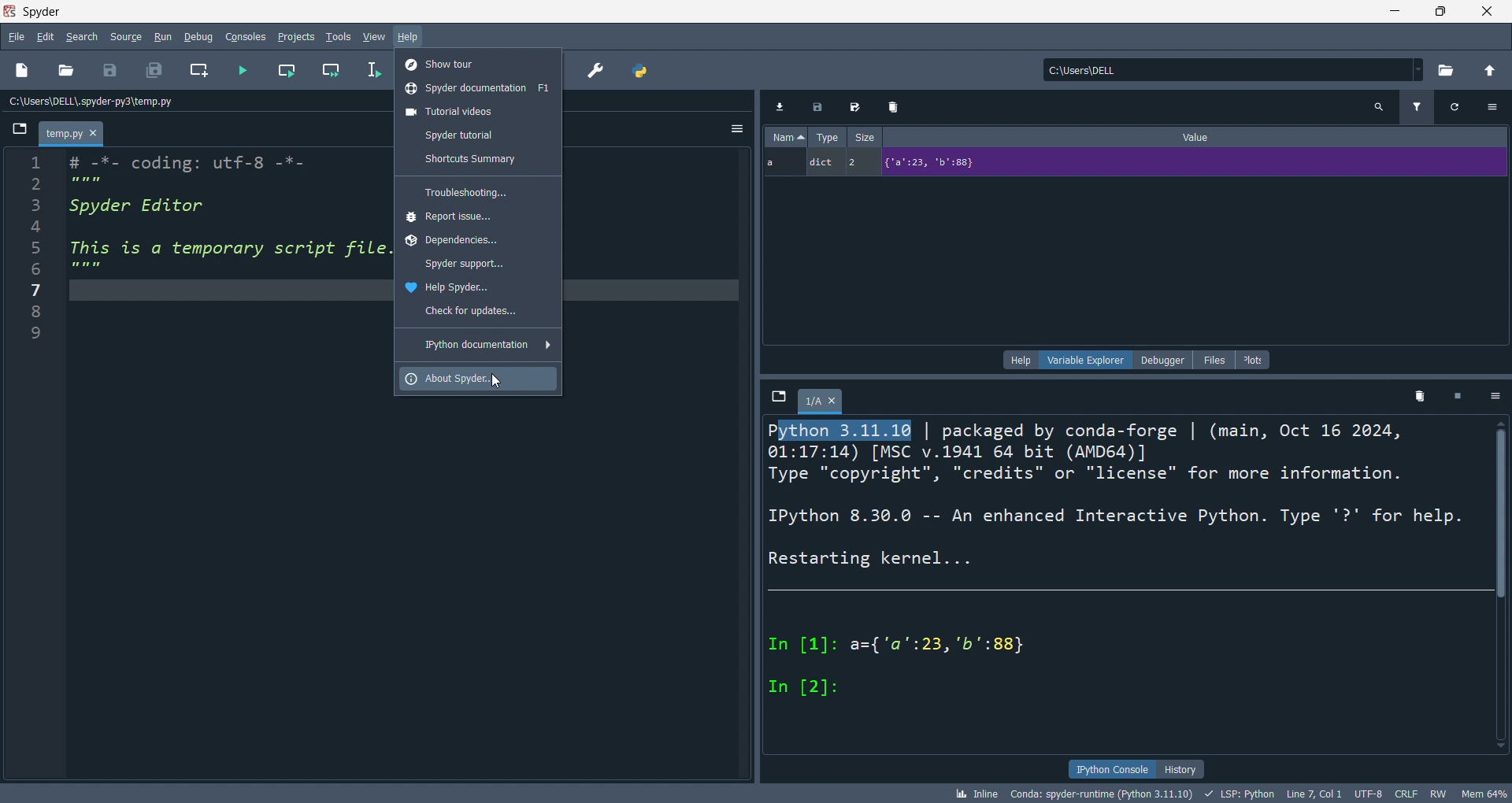 The height and width of the screenshot is (803, 1512). What do you see at coordinates (1421, 396) in the screenshot?
I see `Delete` at bounding box center [1421, 396].